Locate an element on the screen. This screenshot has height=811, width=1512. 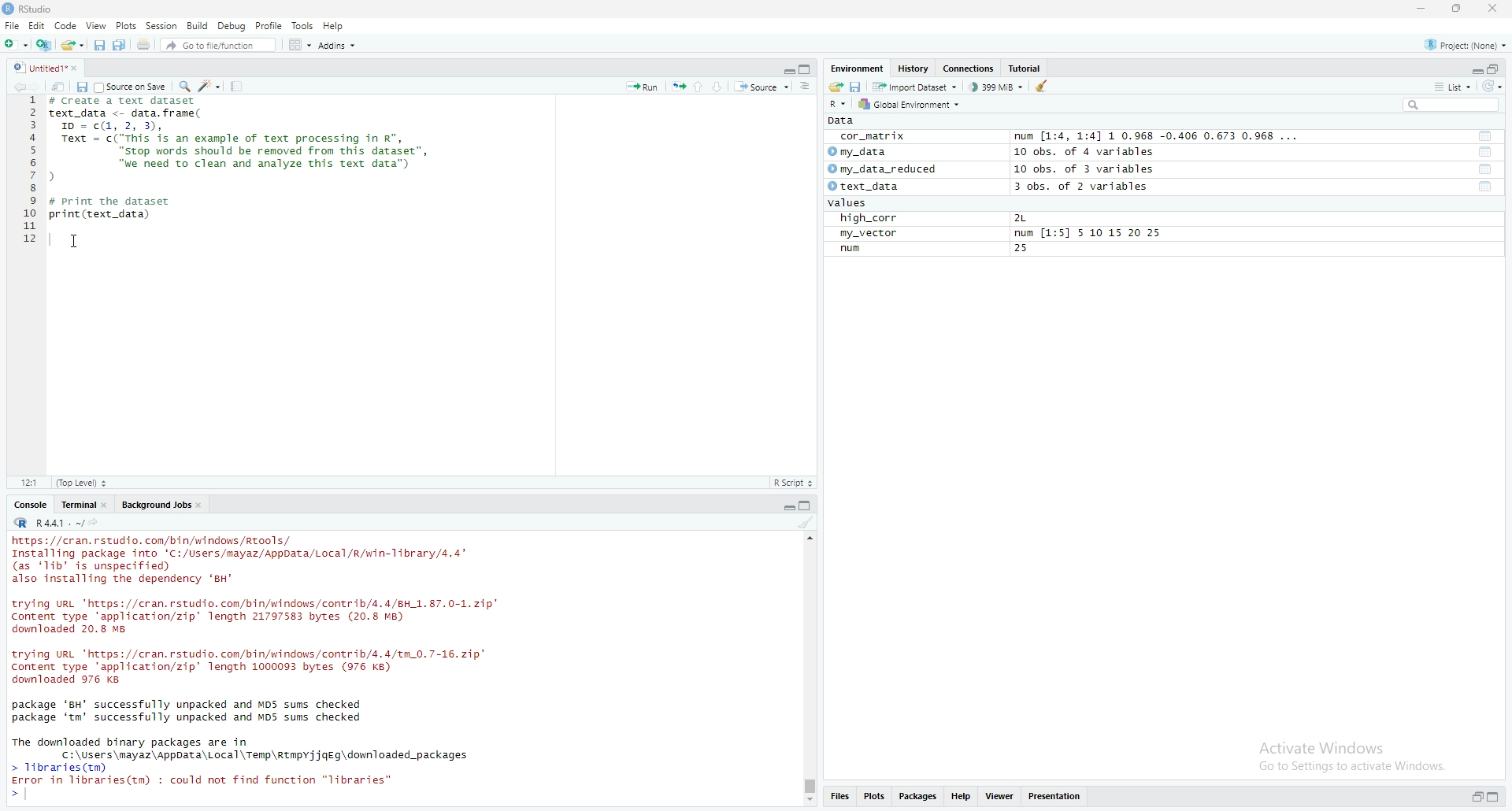
import dataset is located at coordinates (916, 87).